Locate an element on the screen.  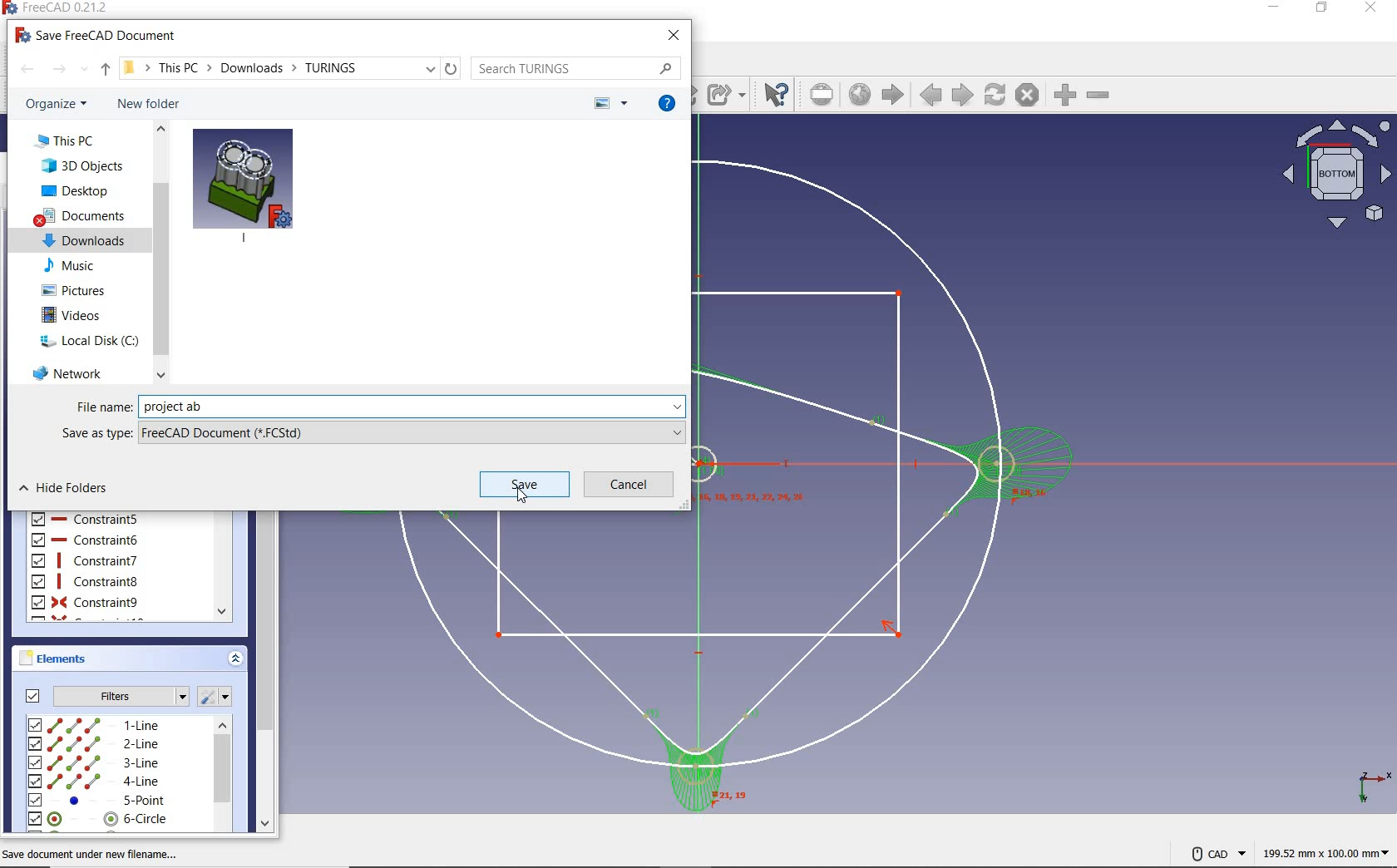
elements is located at coordinates (77, 658).